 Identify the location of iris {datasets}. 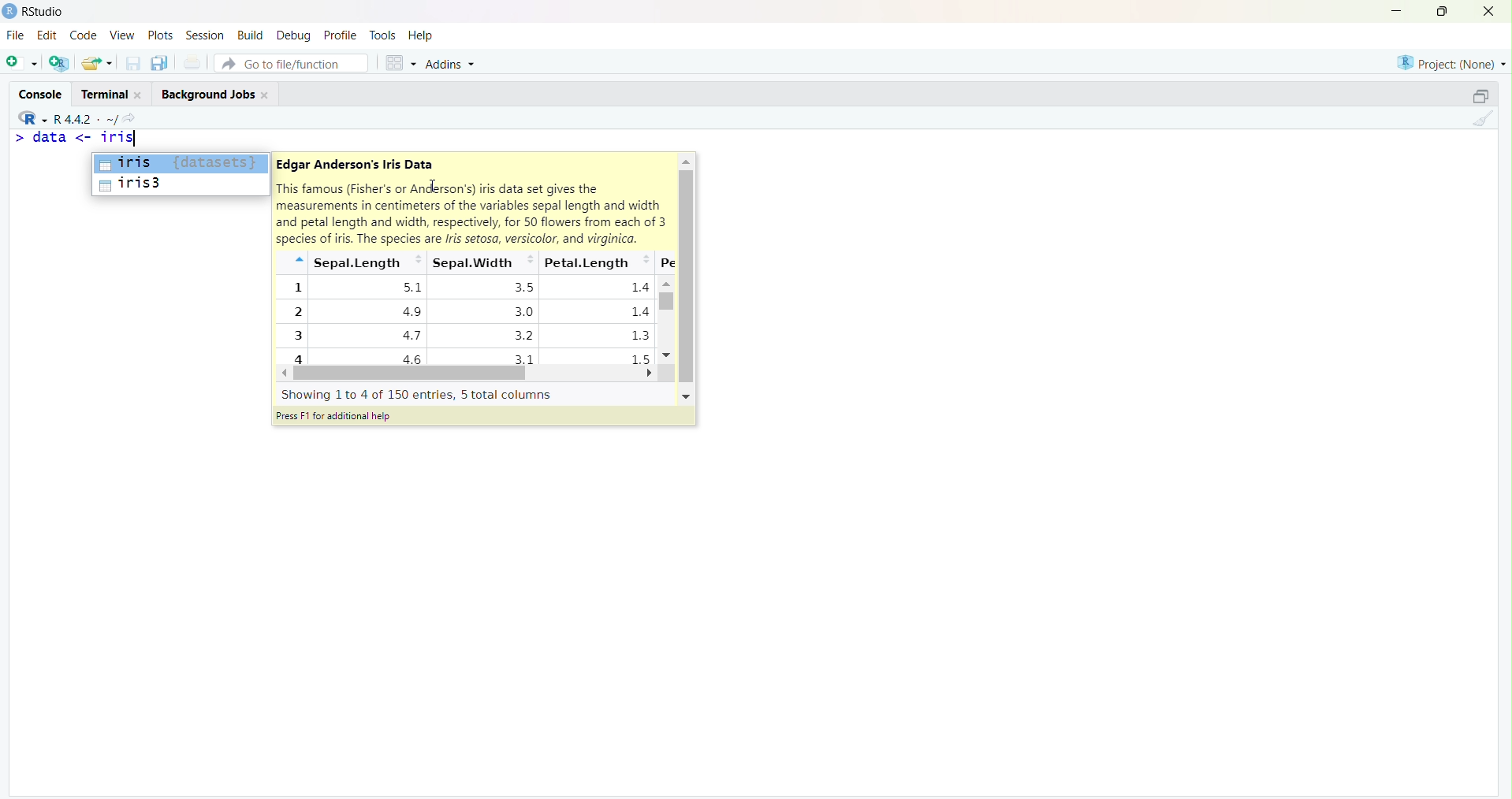
(180, 163).